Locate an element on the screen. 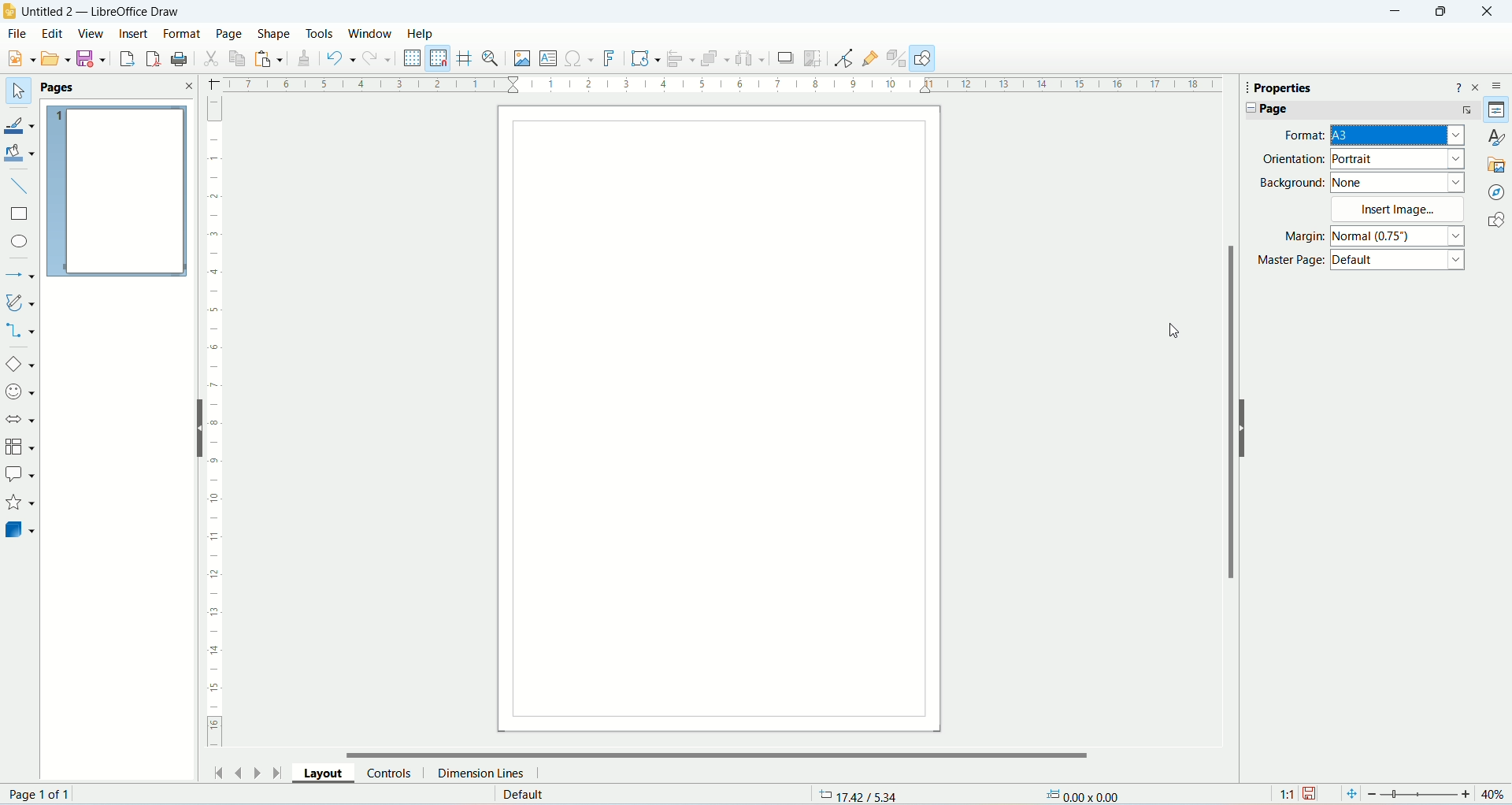 The image size is (1512, 805). new is located at coordinates (23, 58).